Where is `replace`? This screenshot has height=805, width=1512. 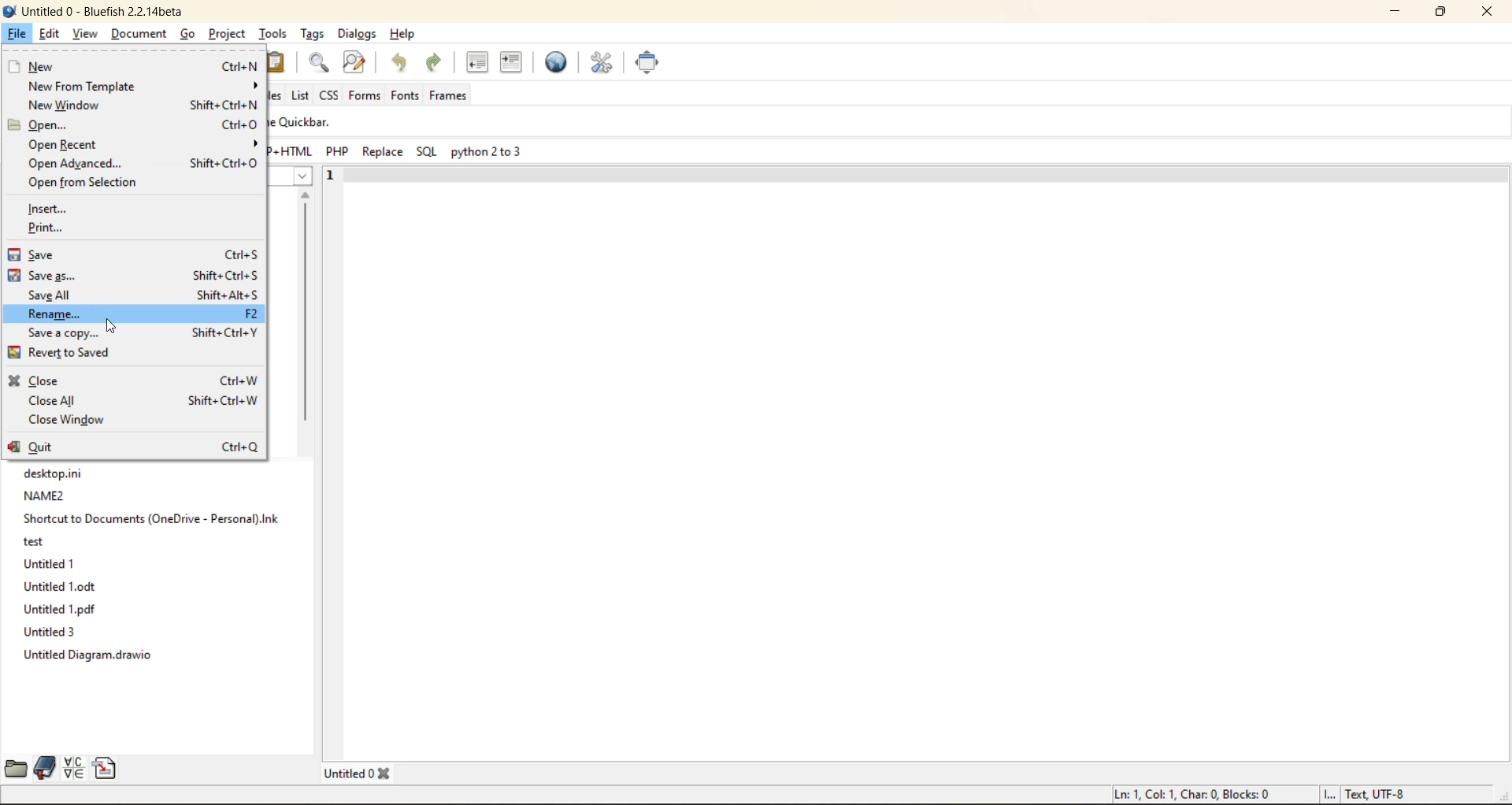 replace is located at coordinates (381, 153).